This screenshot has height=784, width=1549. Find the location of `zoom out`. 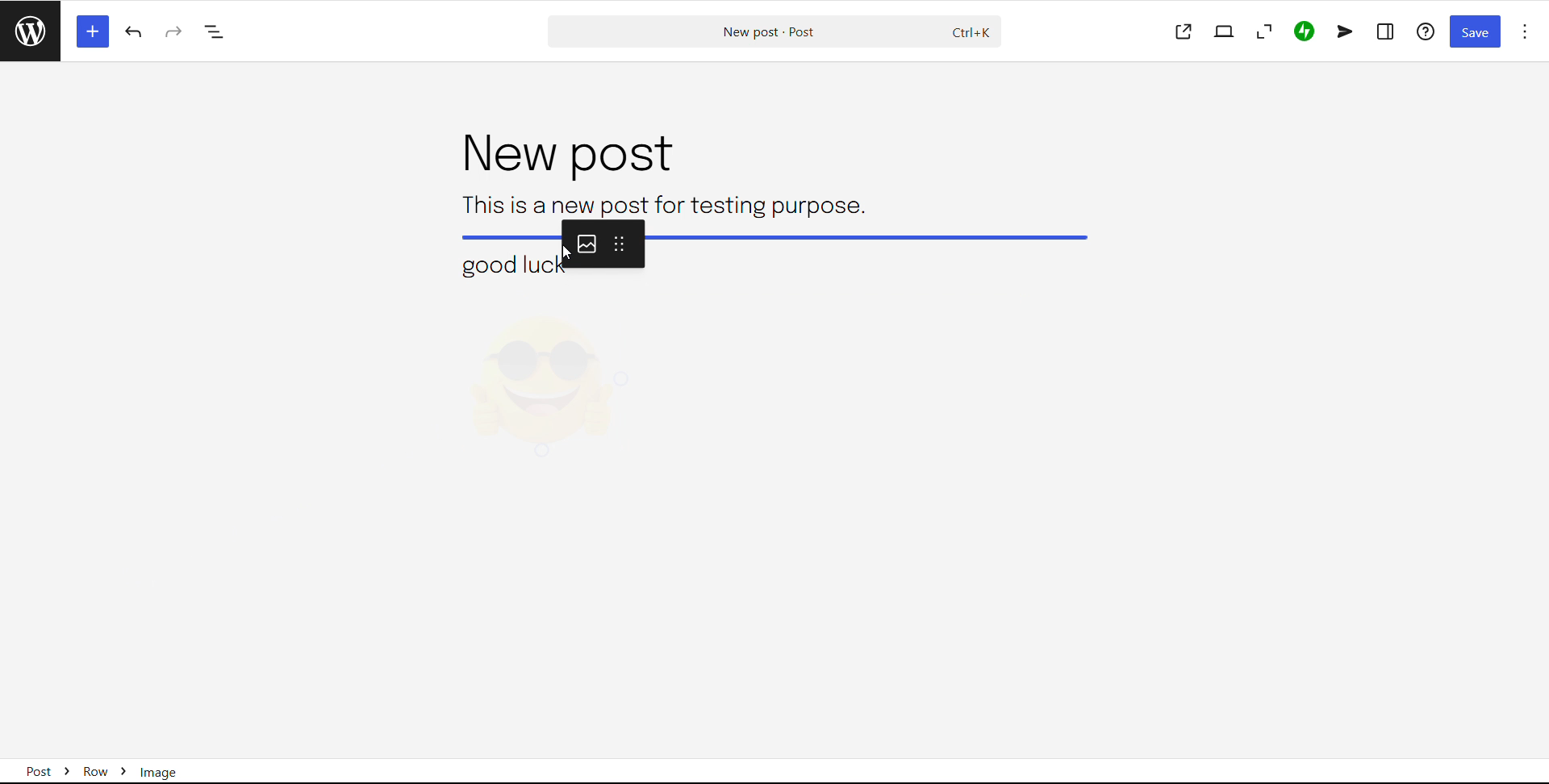

zoom out is located at coordinates (1263, 31).